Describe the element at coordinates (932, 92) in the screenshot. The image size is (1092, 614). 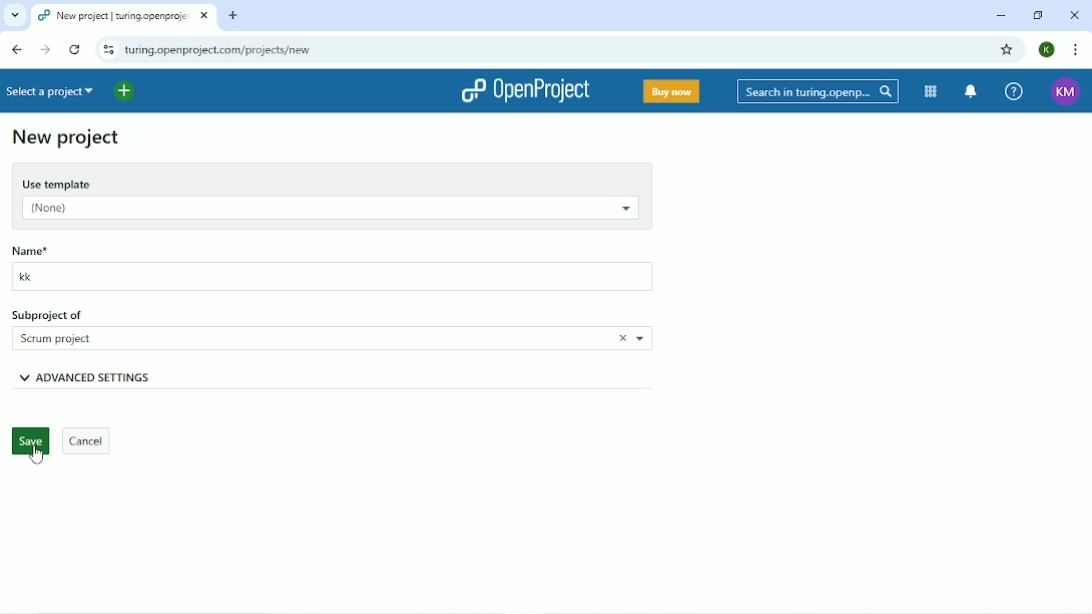
I see `Modules` at that location.